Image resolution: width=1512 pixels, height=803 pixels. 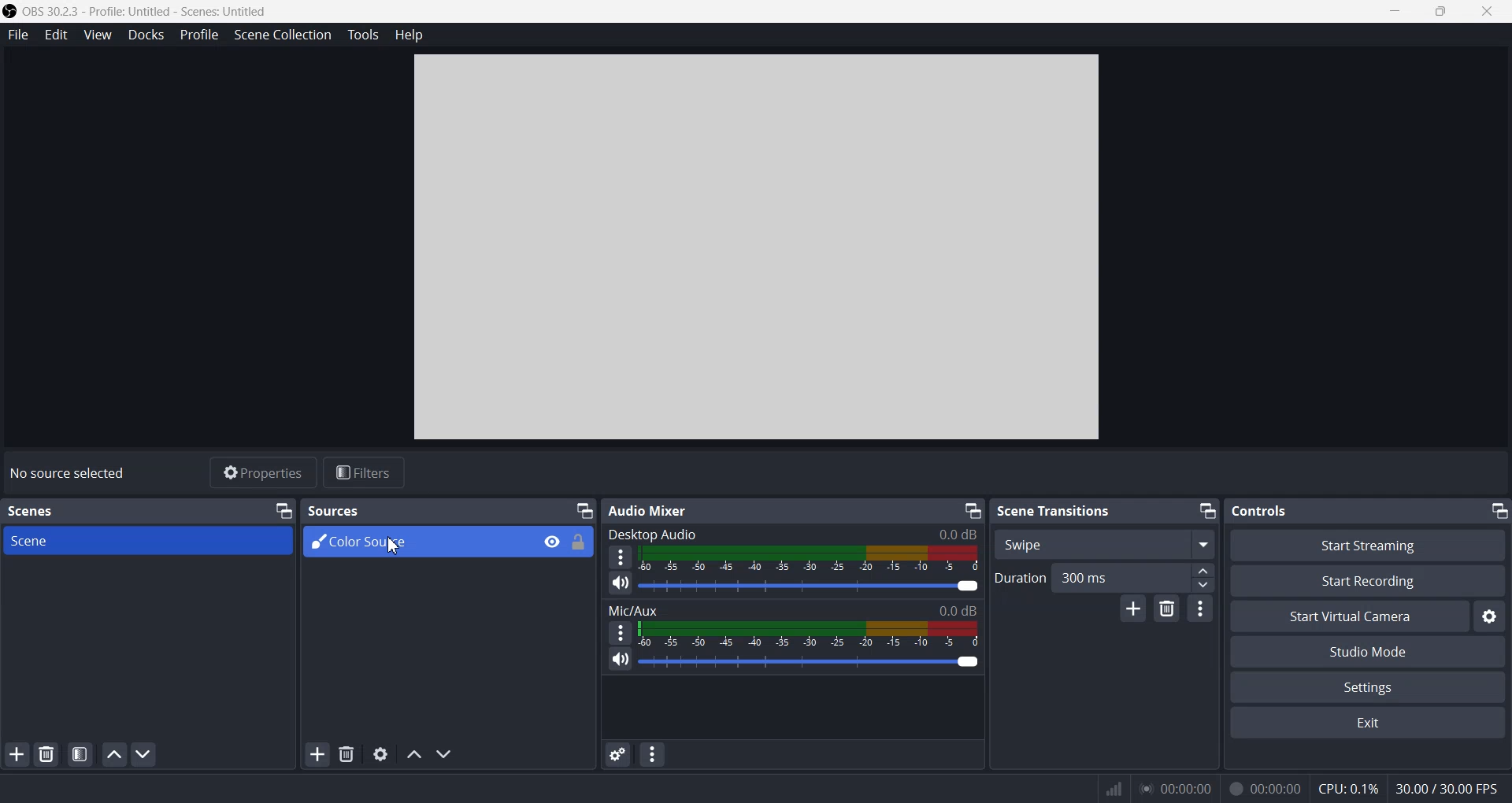 I want to click on Settings, so click(x=1492, y=616).